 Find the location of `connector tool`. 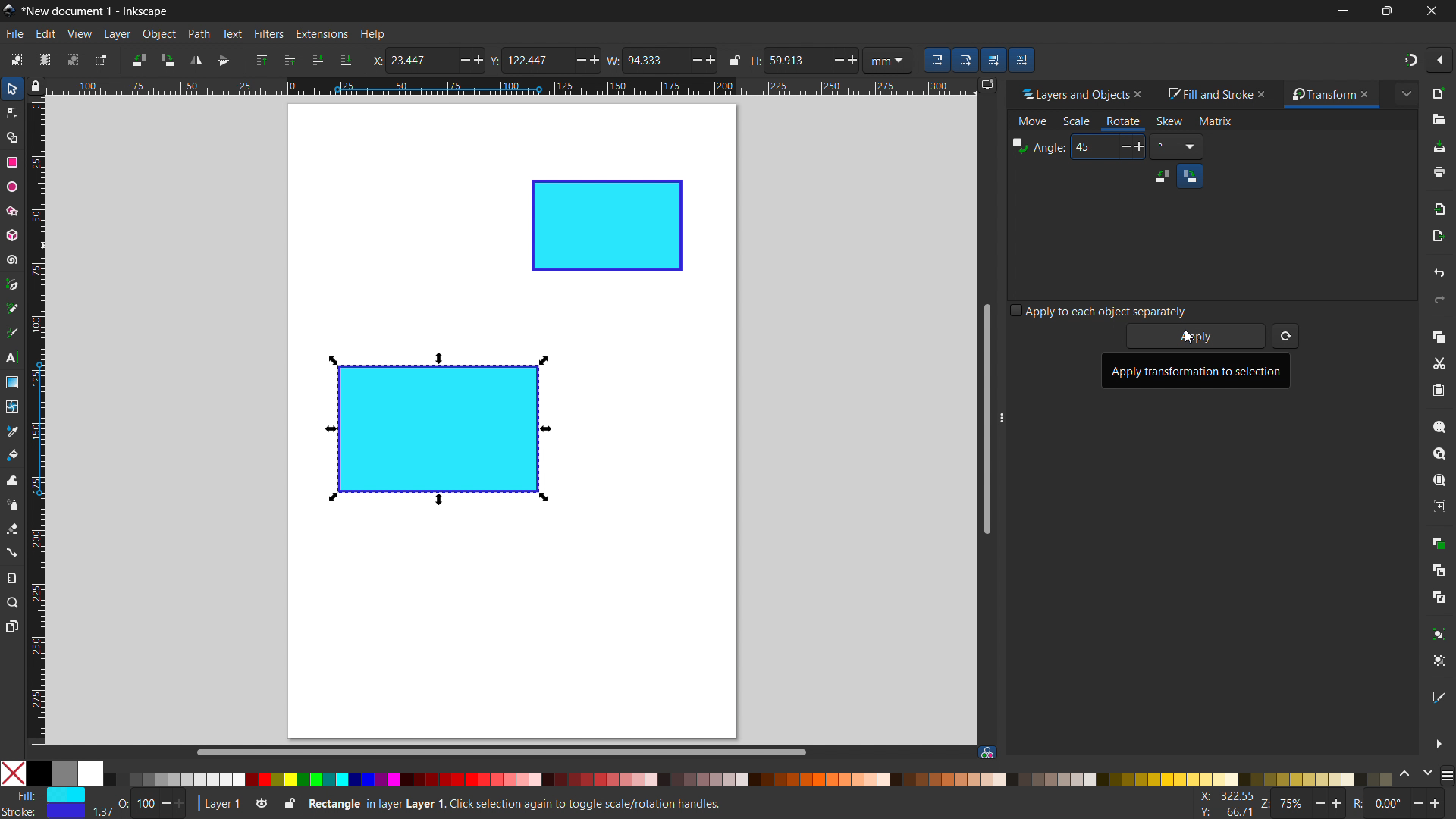

connector tool is located at coordinates (11, 552).